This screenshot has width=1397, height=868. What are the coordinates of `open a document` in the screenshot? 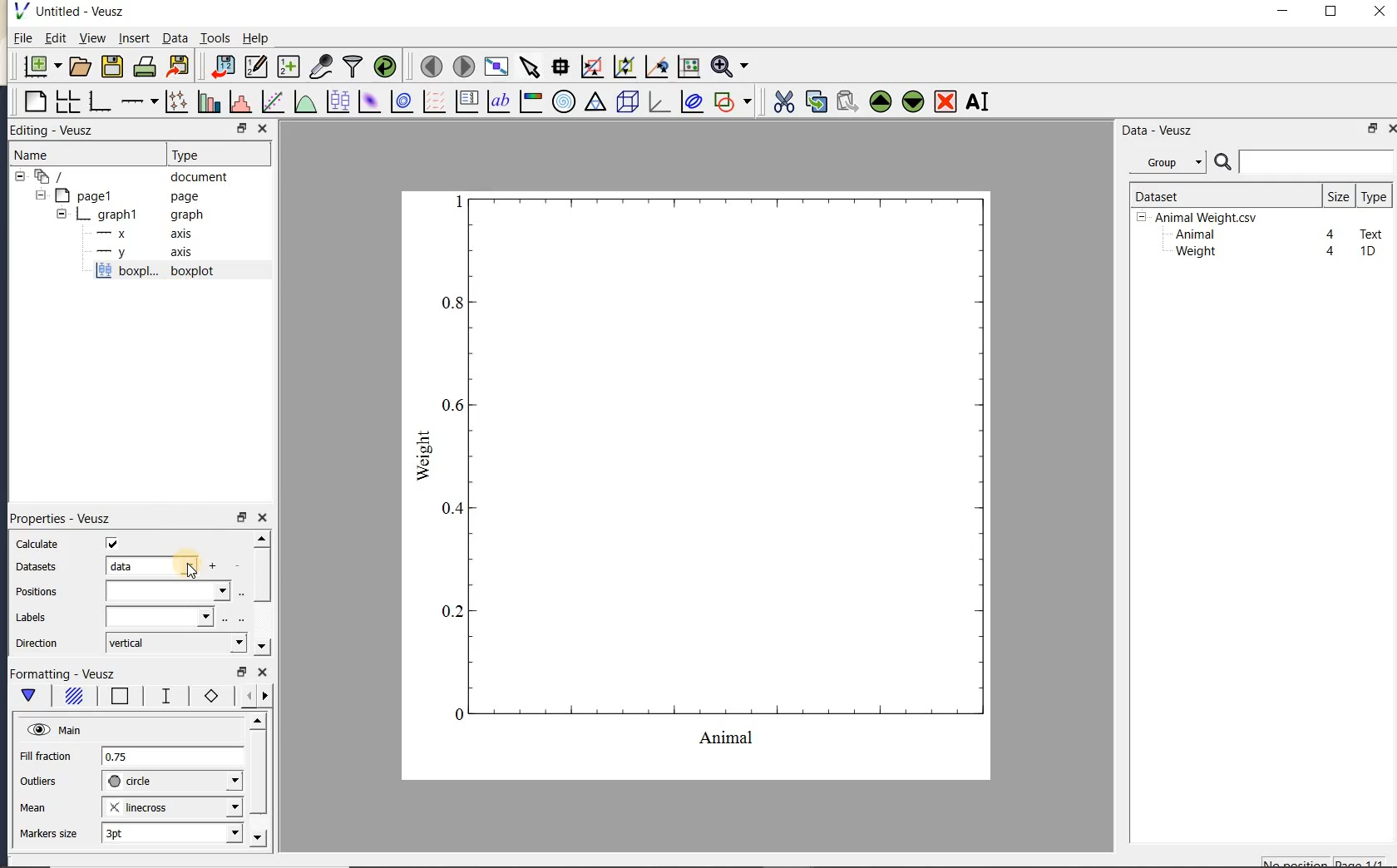 It's located at (78, 67).